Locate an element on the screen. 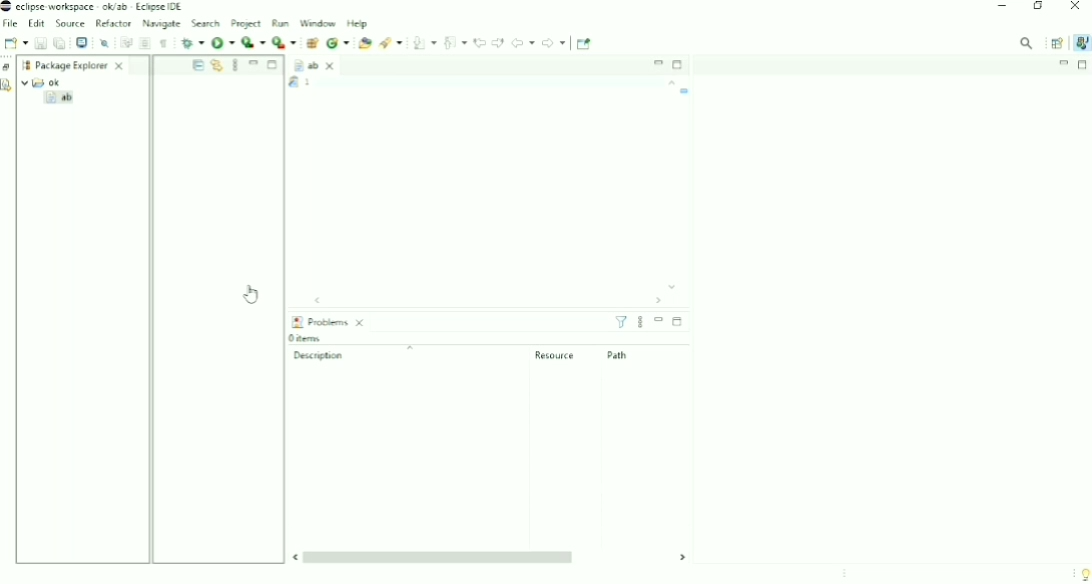  Vertical scrollbar is located at coordinates (670, 185).